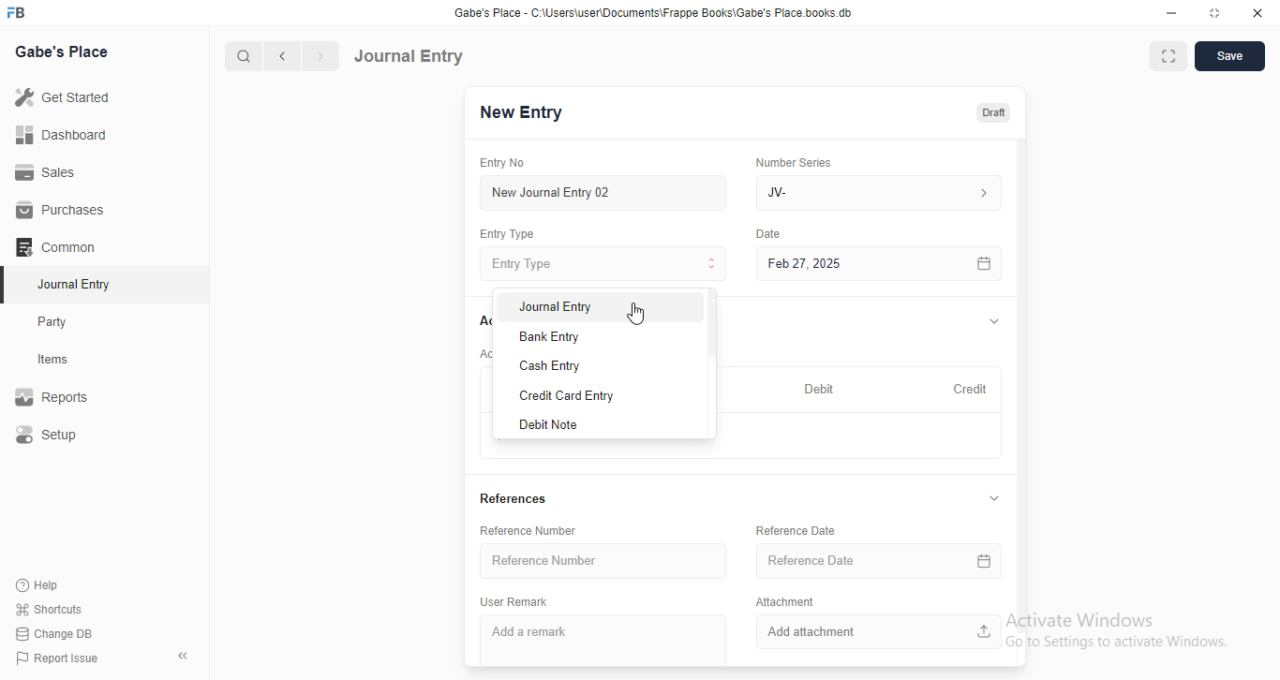 The width and height of the screenshot is (1280, 680). Describe the element at coordinates (59, 658) in the screenshot. I see `| Report Issue` at that location.